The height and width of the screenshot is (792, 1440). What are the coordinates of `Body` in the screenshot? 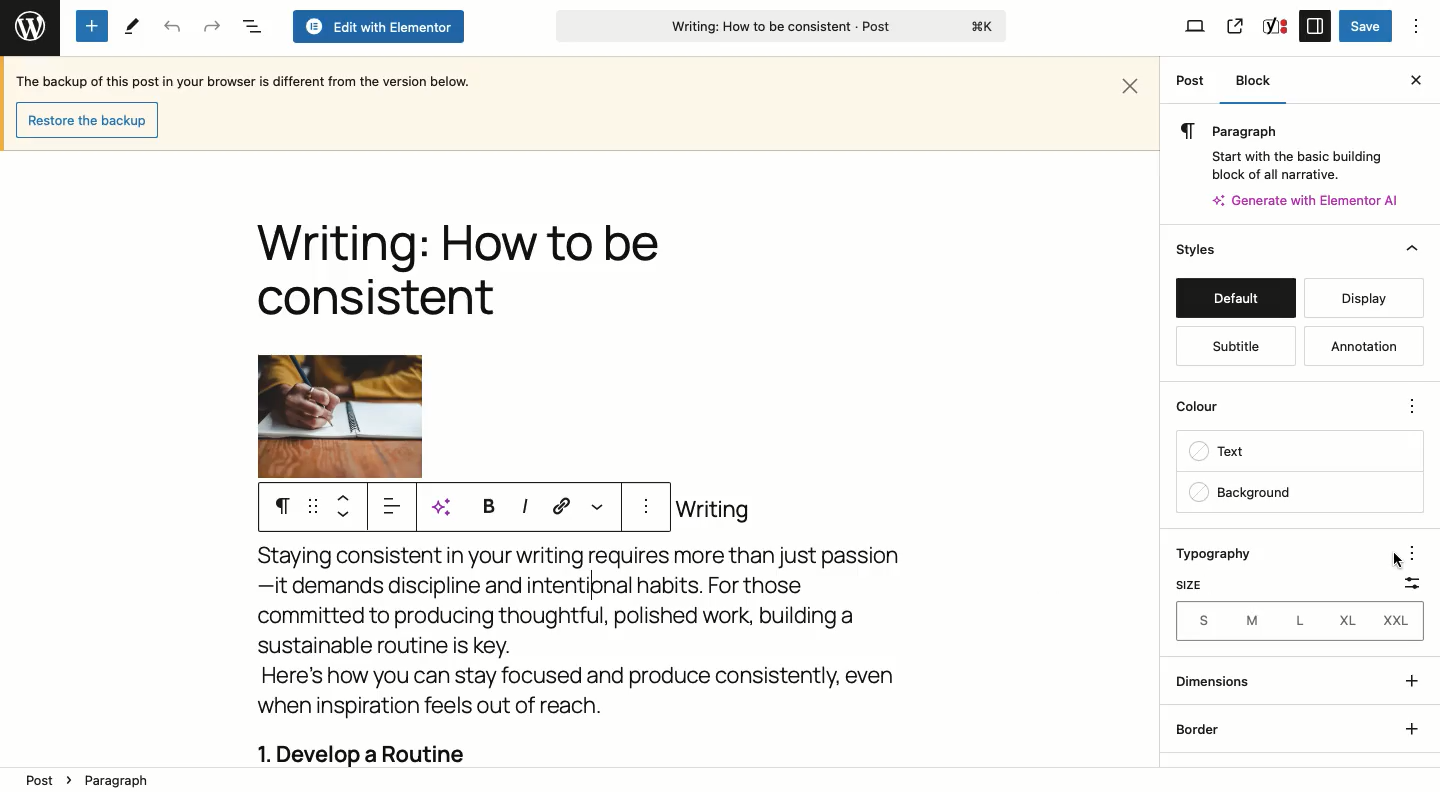 It's located at (617, 632).